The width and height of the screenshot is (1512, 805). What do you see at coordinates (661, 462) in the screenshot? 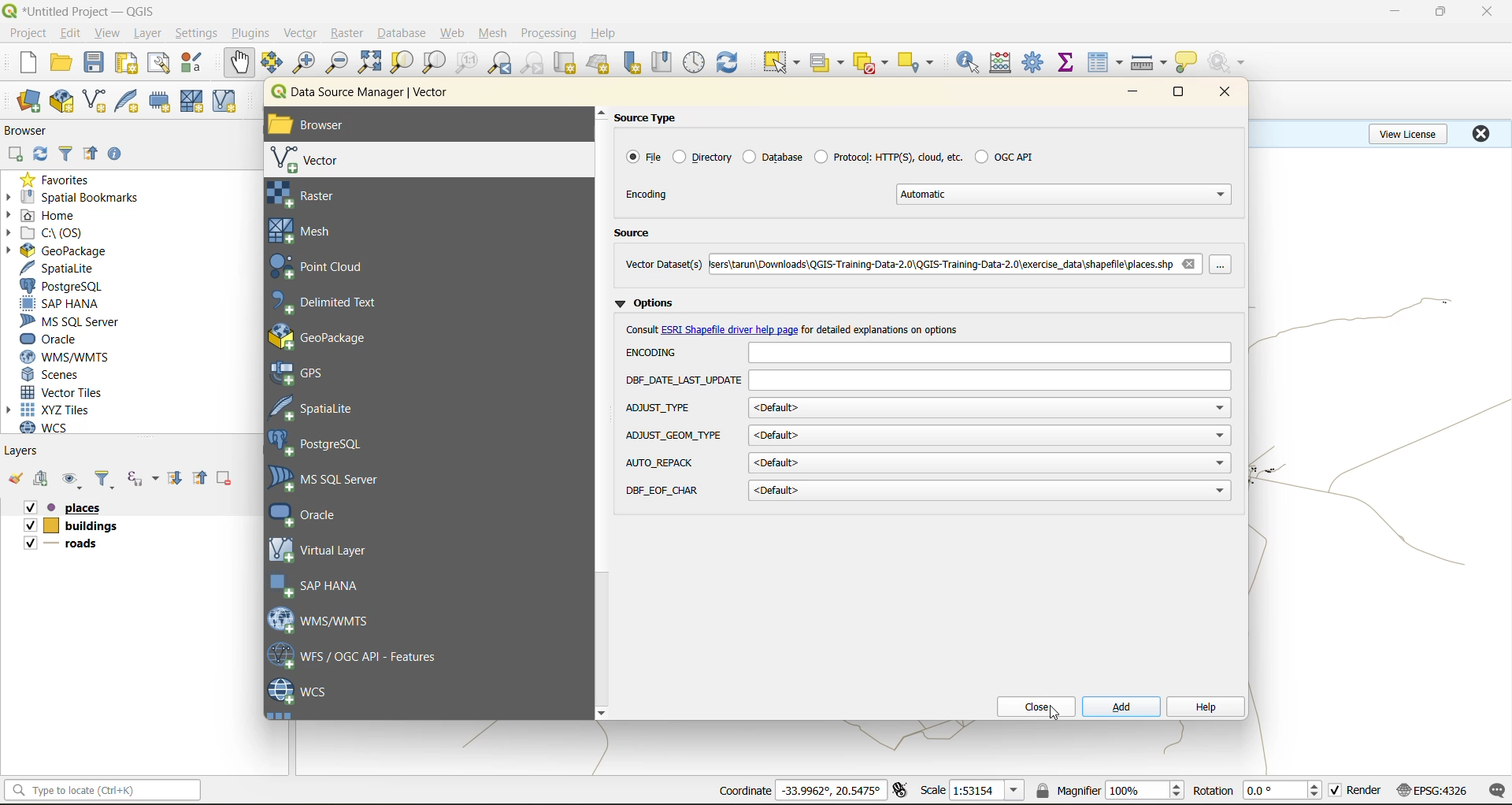
I see `auto repack` at bounding box center [661, 462].